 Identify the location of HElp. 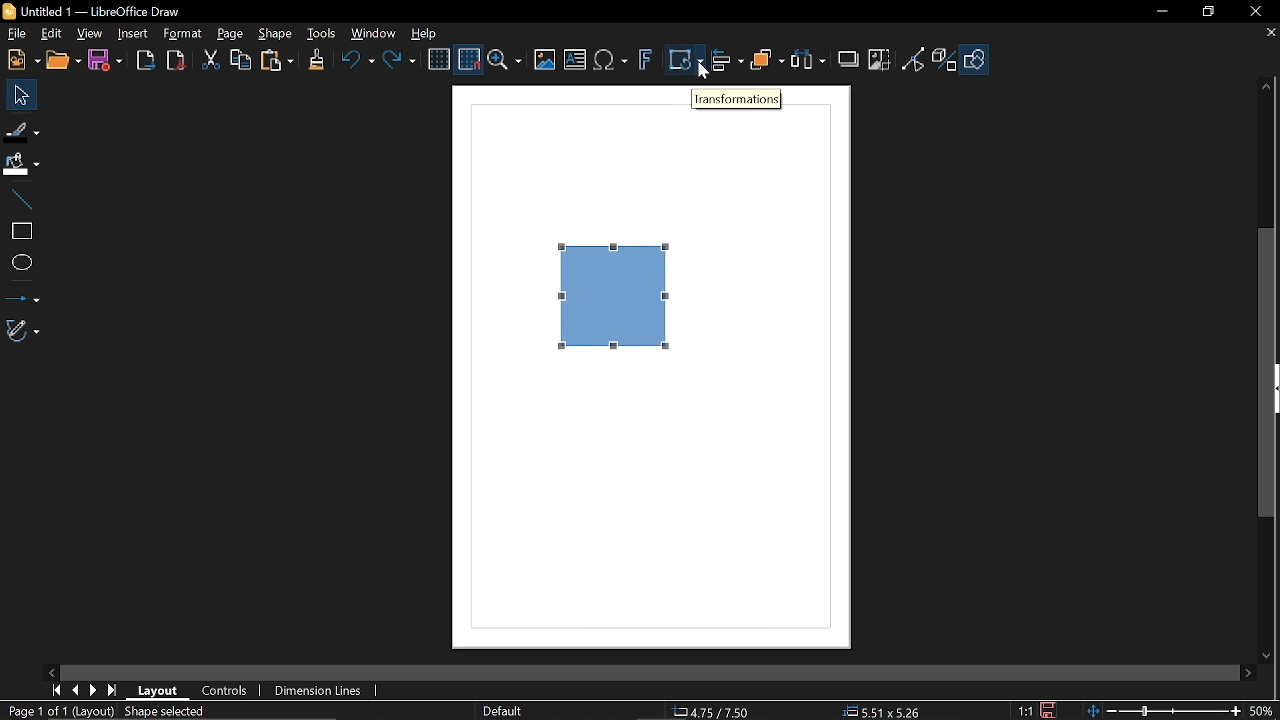
(422, 31).